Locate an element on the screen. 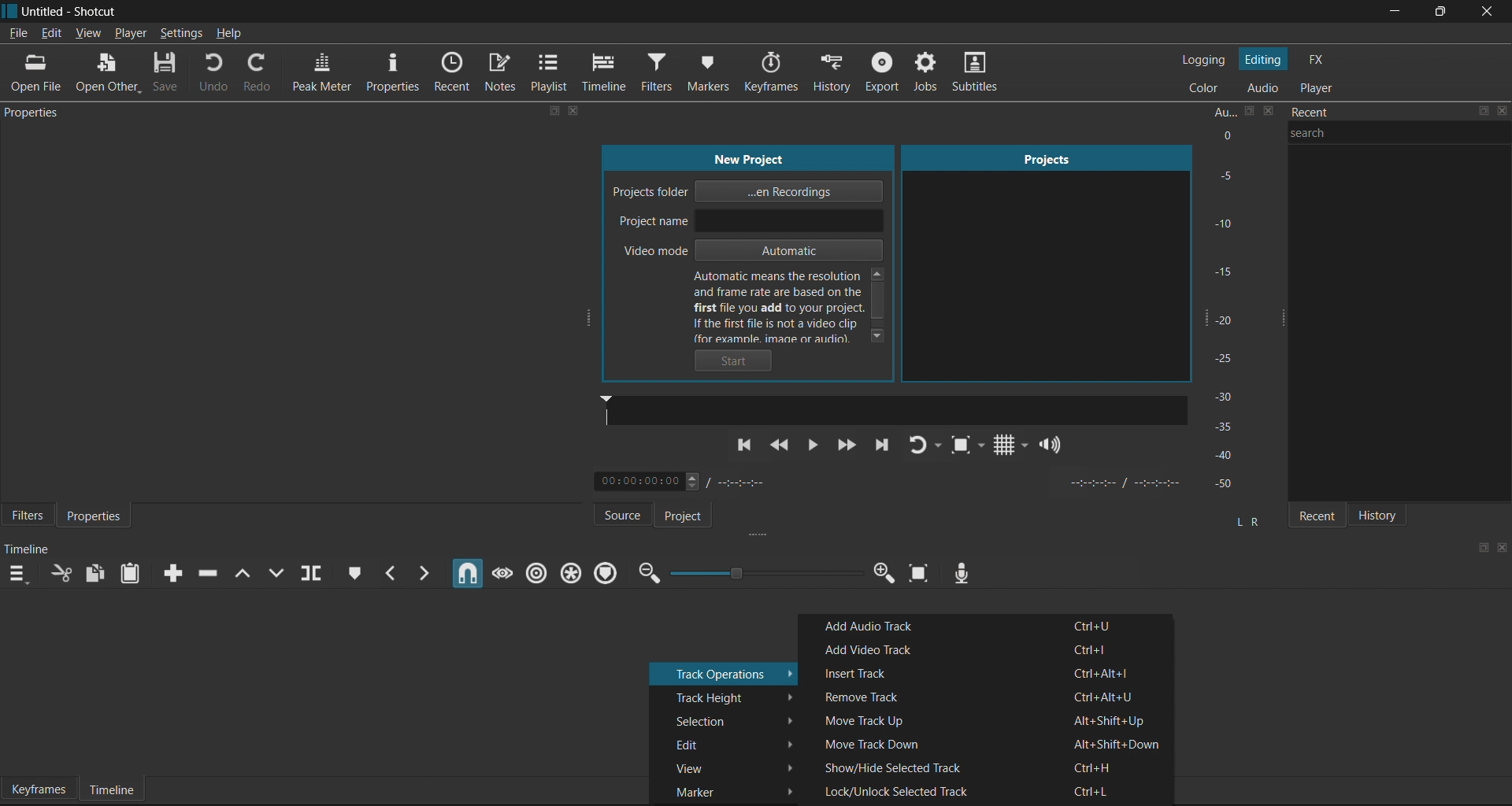 The width and height of the screenshot is (1512, 806). Player is located at coordinates (130, 32).